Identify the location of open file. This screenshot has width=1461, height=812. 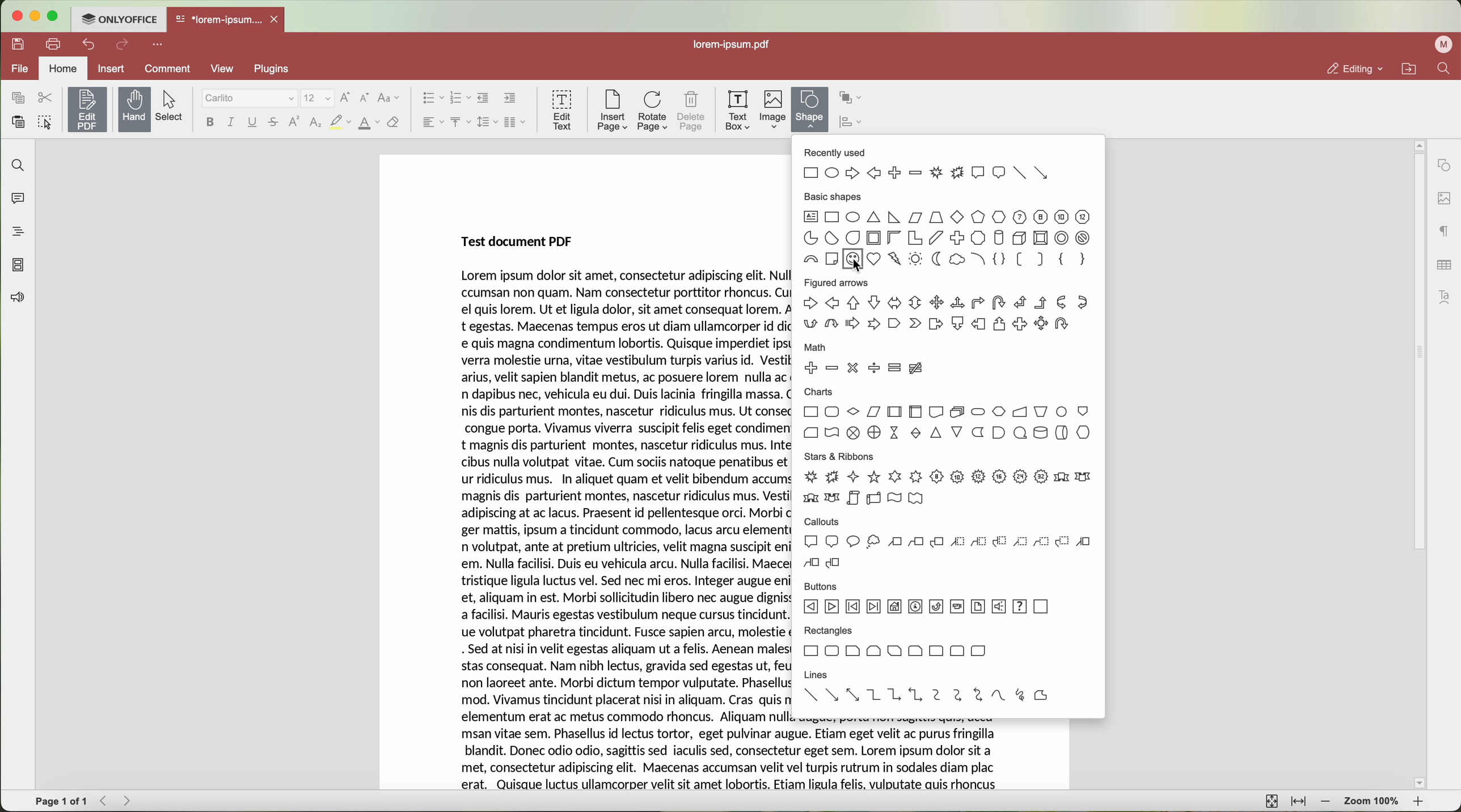
(227, 20).